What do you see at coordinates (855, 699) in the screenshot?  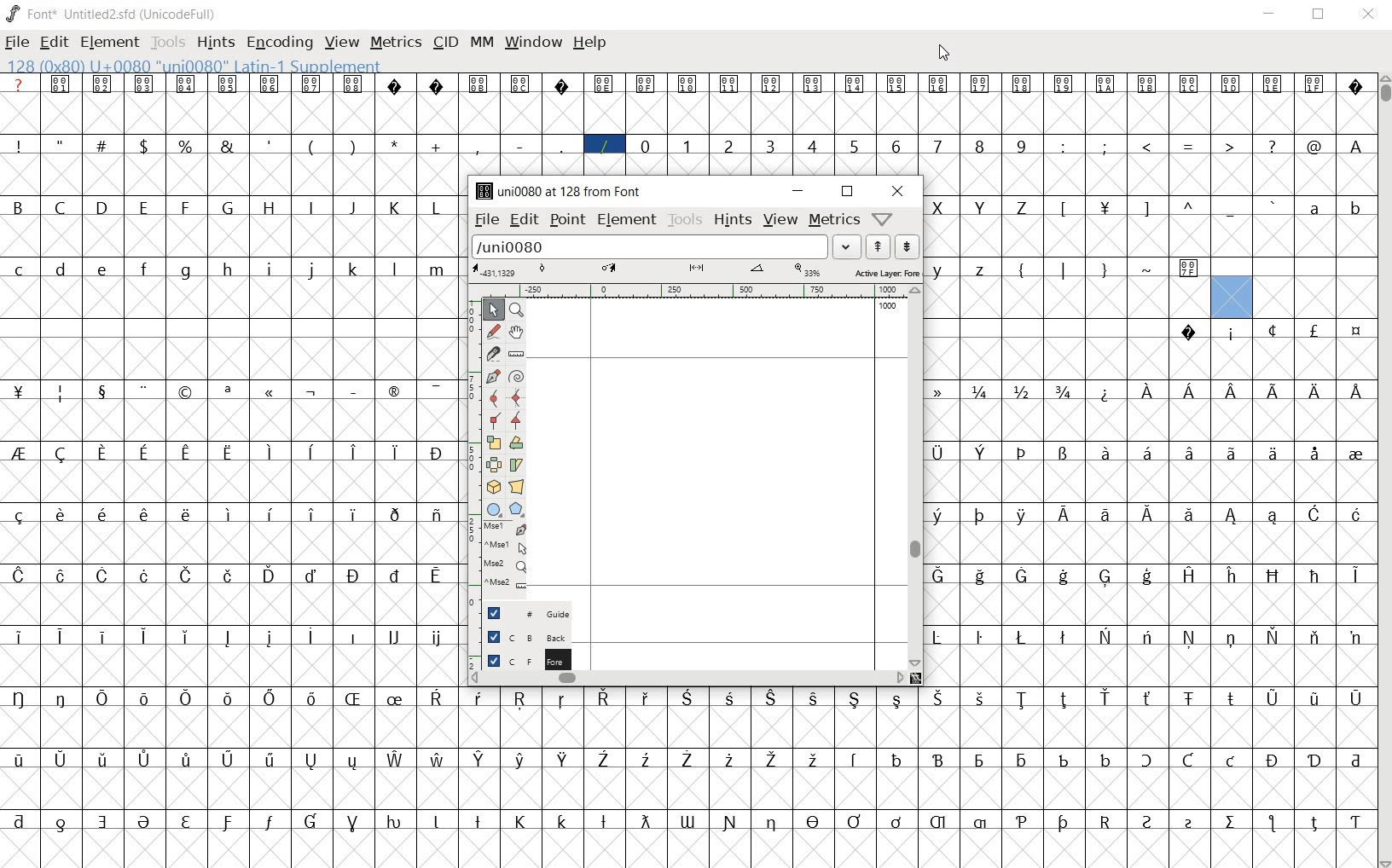 I see `glyph` at bounding box center [855, 699].